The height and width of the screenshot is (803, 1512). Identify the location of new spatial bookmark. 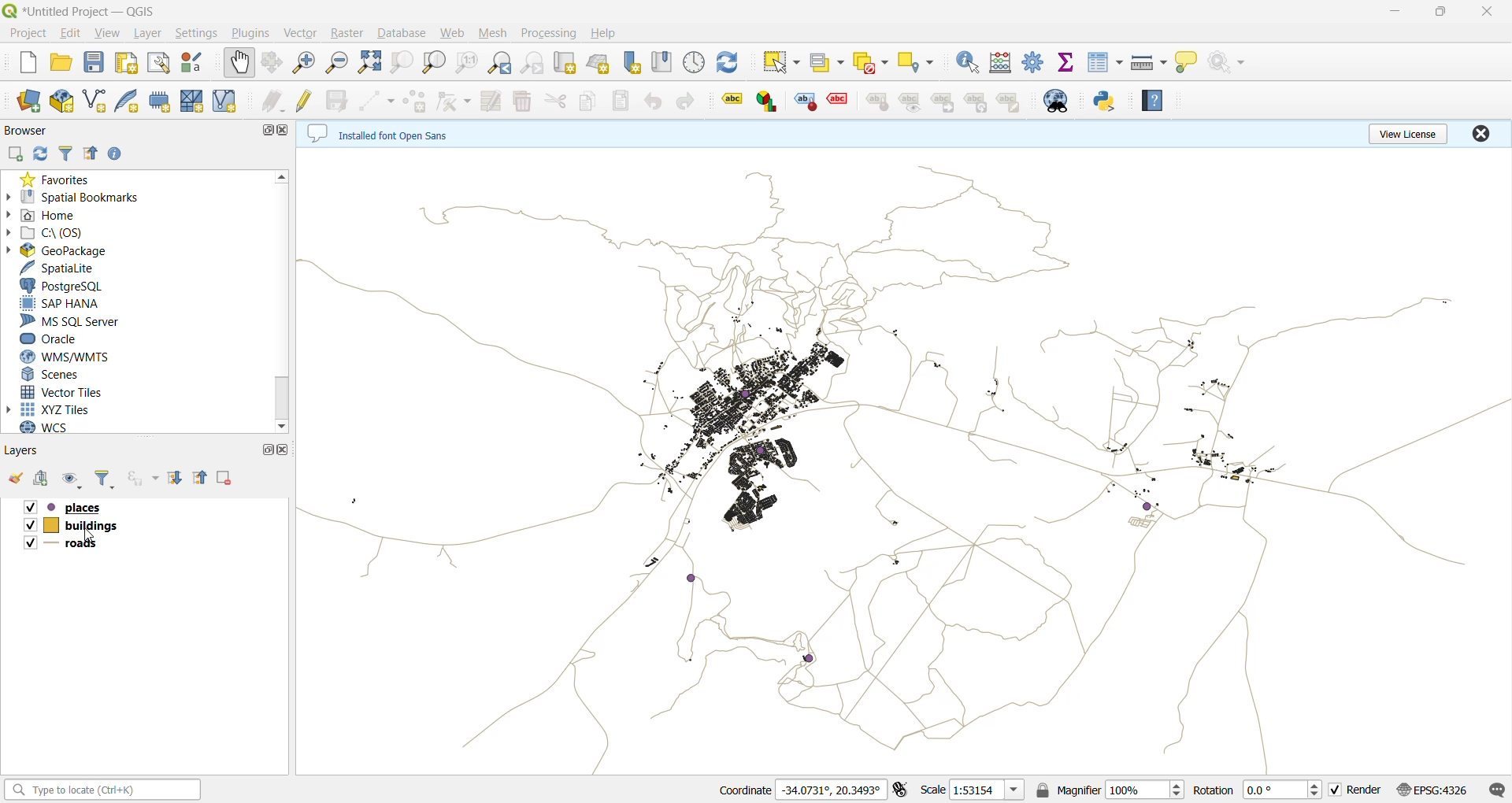
(632, 62).